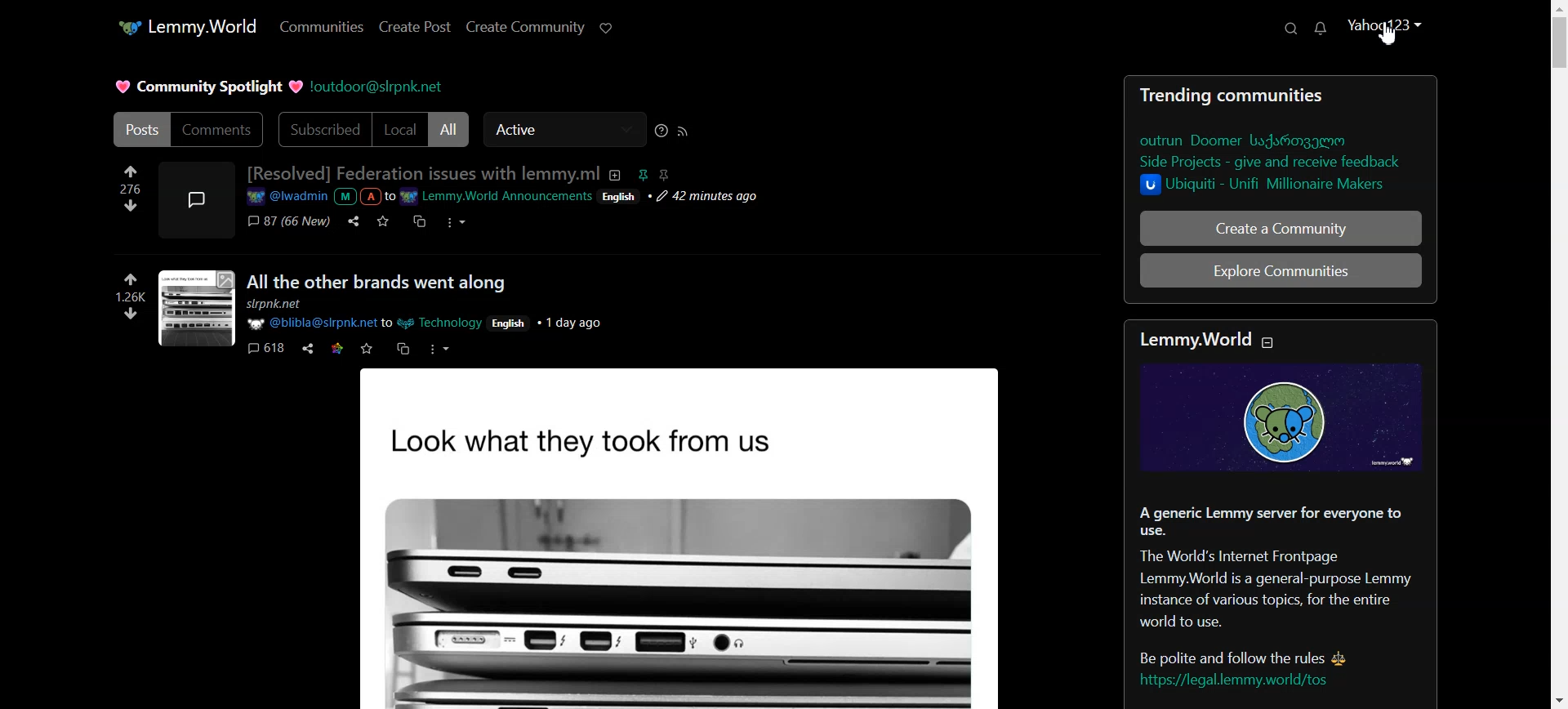 Image resolution: width=1568 pixels, height=709 pixels. Describe the element at coordinates (131, 172) in the screenshot. I see `upvote` at that location.